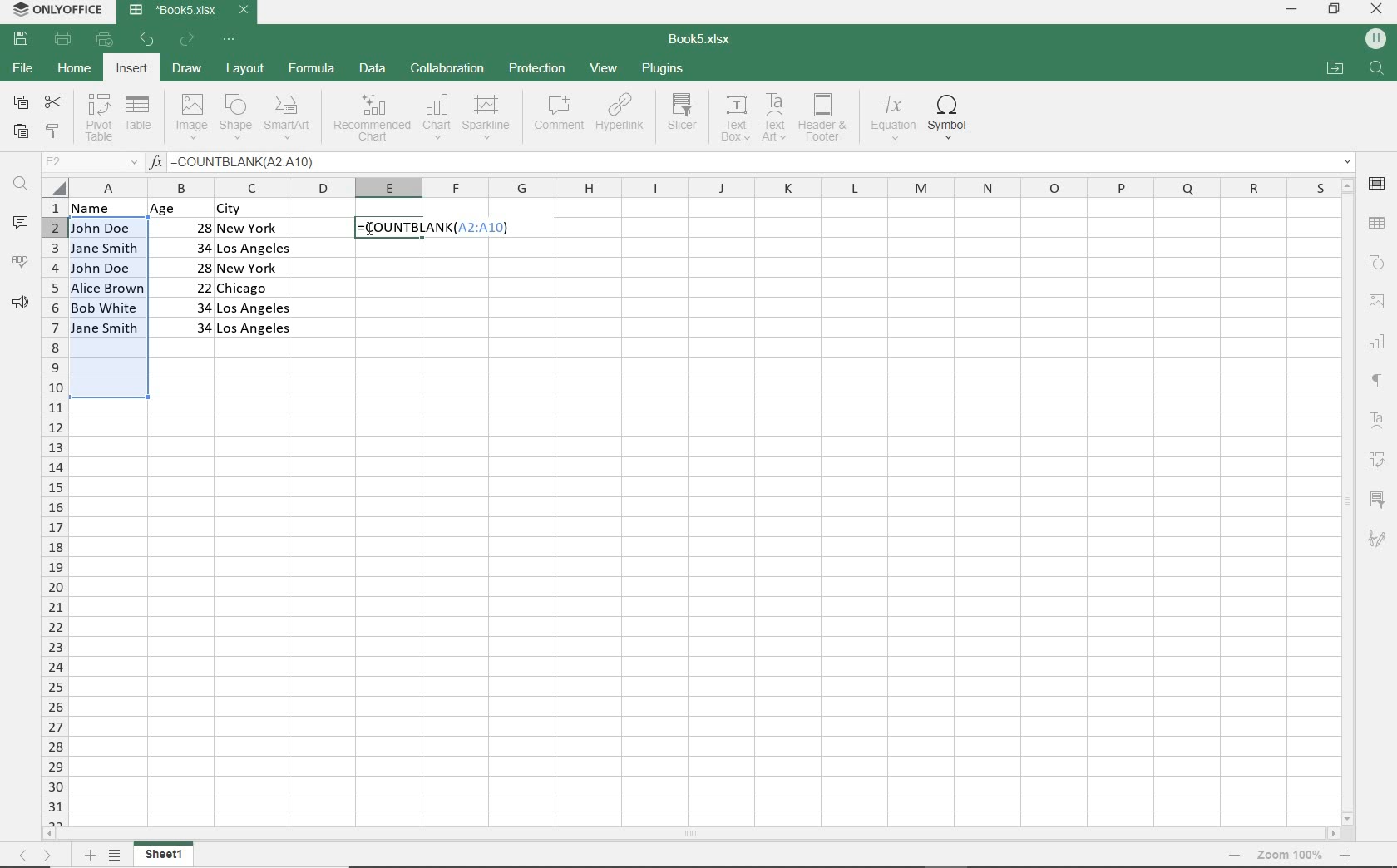 Image resolution: width=1397 pixels, height=868 pixels. What do you see at coordinates (89, 162) in the screenshot?
I see `NAME MANAGER` at bounding box center [89, 162].